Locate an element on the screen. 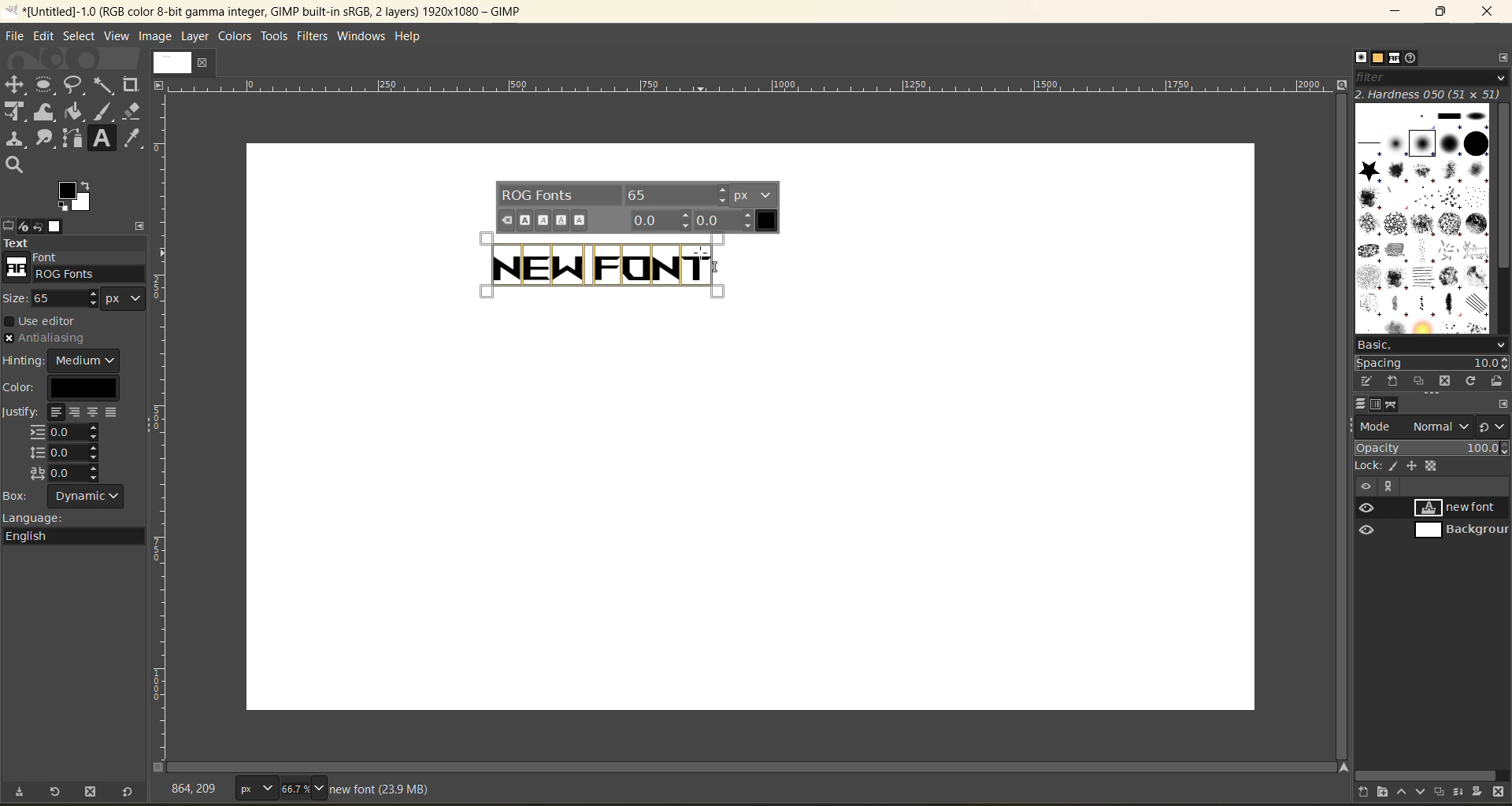 This screenshot has height=806, width=1512. raise this layer is located at coordinates (1404, 790).